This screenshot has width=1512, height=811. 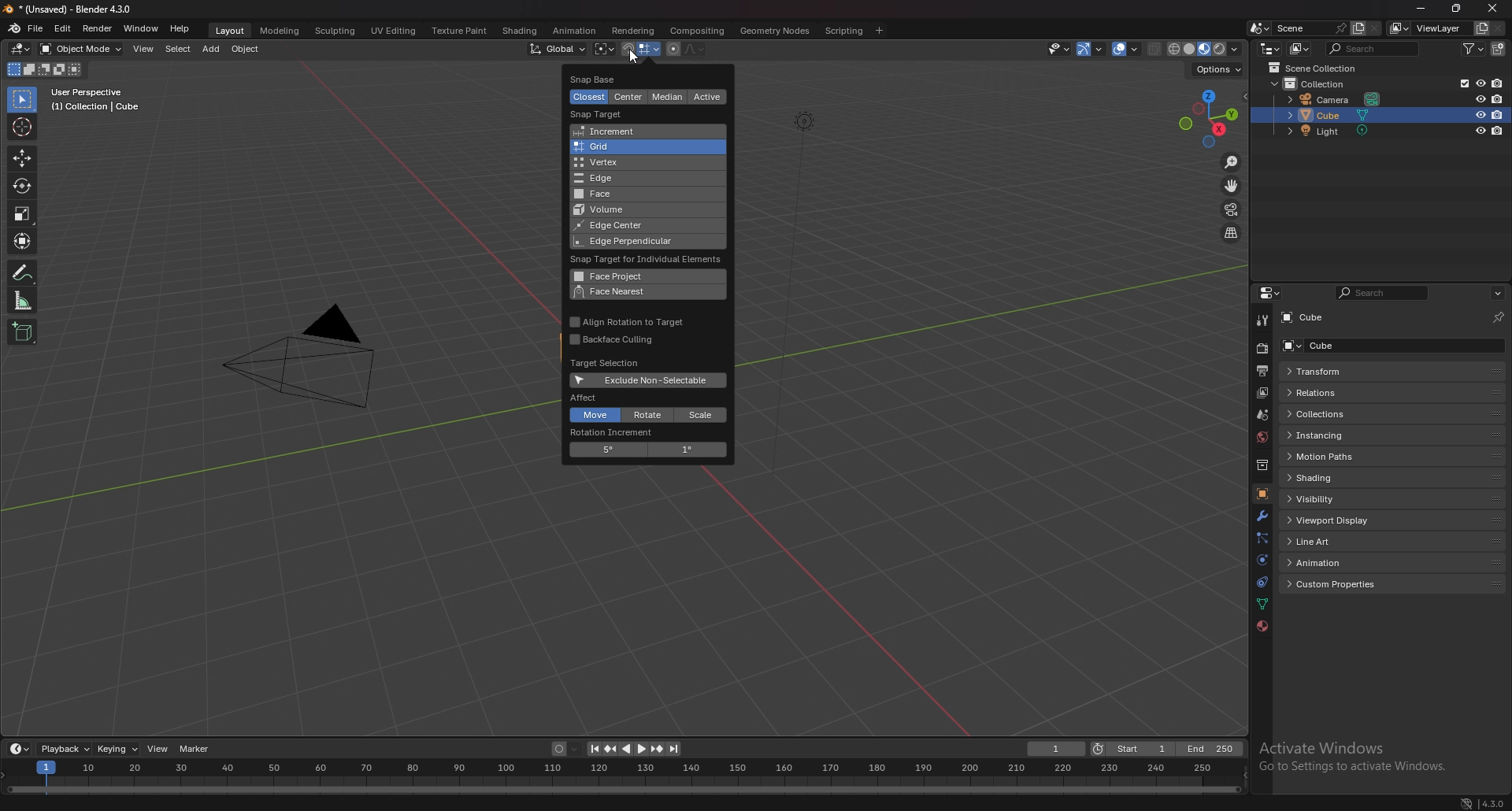 What do you see at coordinates (1262, 438) in the screenshot?
I see `world` at bounding box center [1262, 438].